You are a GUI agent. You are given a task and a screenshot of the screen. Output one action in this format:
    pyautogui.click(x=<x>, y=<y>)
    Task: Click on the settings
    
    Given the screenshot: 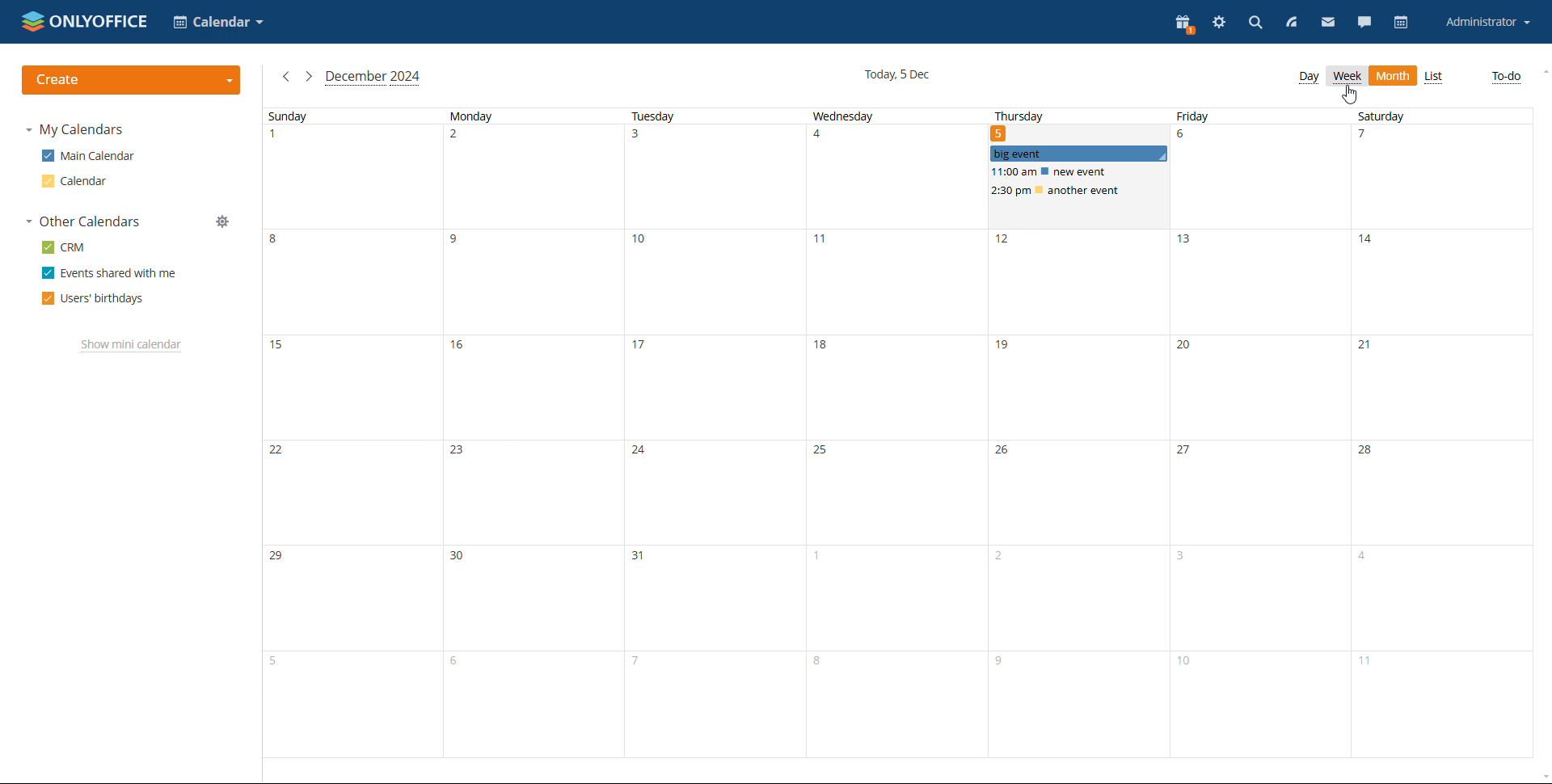 What is the action you would take?
    pyautogui.click(x=1217, y=22)
    